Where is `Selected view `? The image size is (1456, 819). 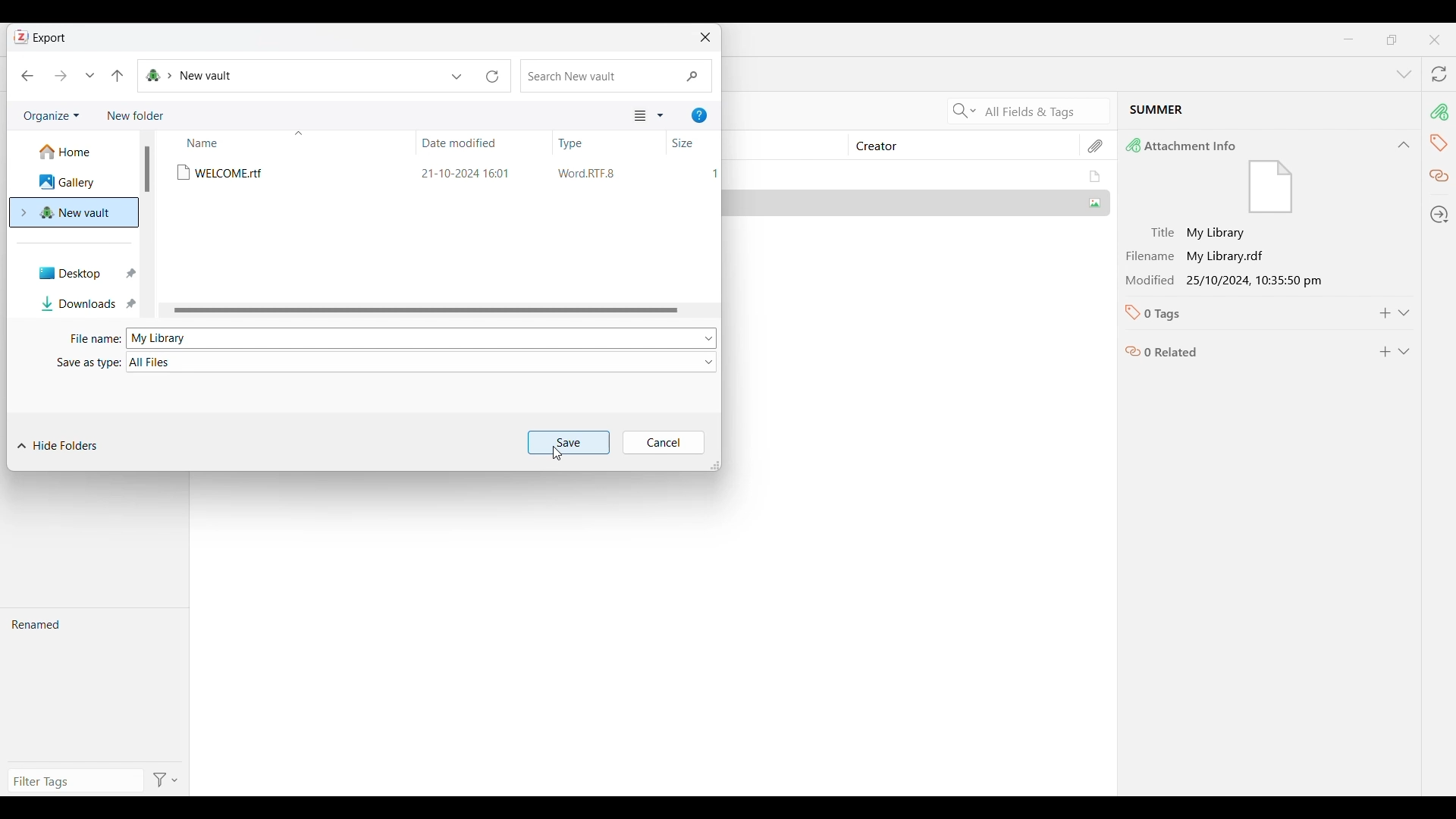
Selected view  is located at coordinates (640, 115).